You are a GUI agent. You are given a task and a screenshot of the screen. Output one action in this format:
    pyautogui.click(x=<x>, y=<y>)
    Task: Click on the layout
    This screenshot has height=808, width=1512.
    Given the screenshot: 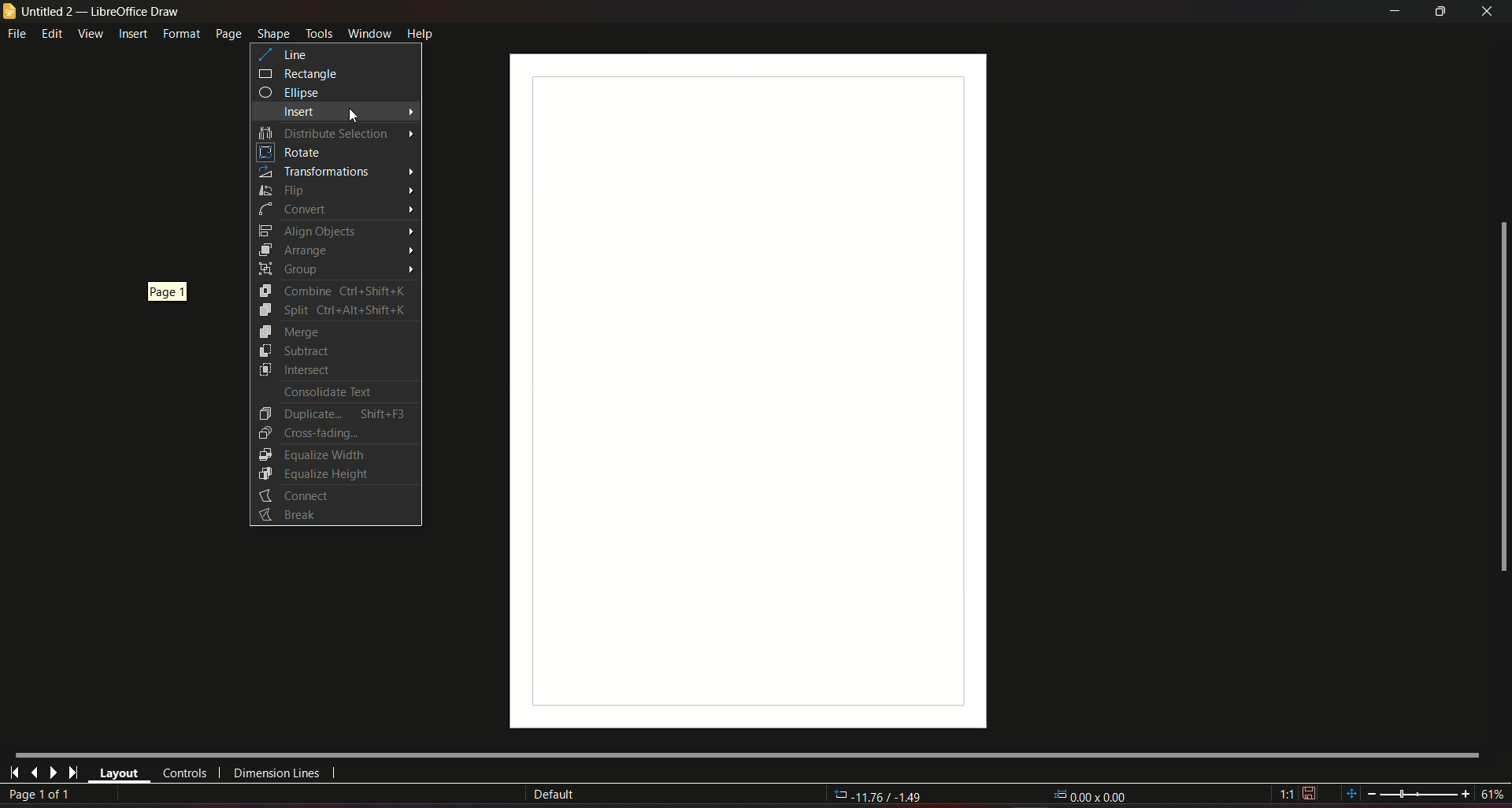 What is the action you would take?
    pyautogui.click(x=119, y=774)
    